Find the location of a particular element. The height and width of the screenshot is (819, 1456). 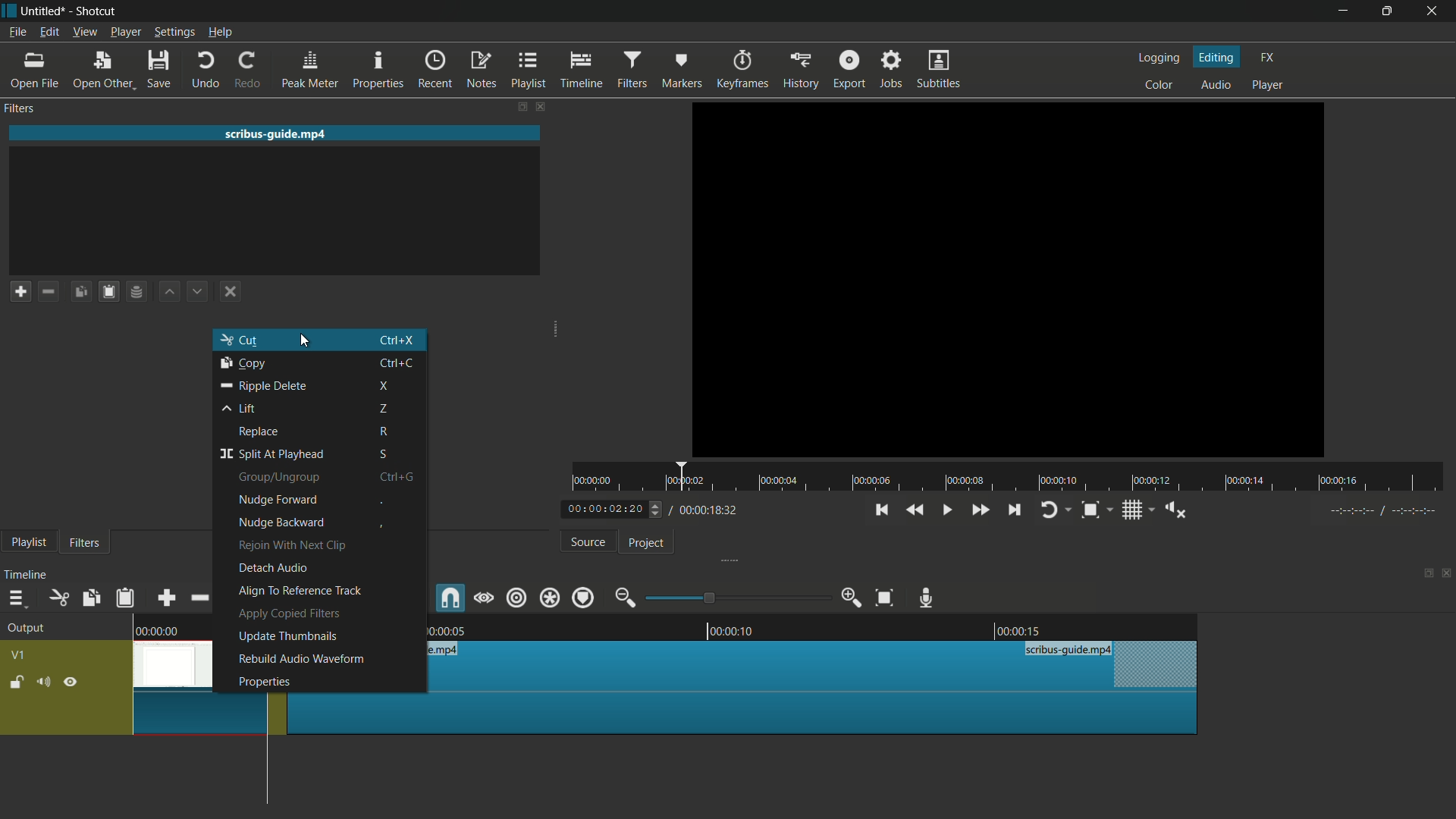

project name is located at coordinates (43, 10).